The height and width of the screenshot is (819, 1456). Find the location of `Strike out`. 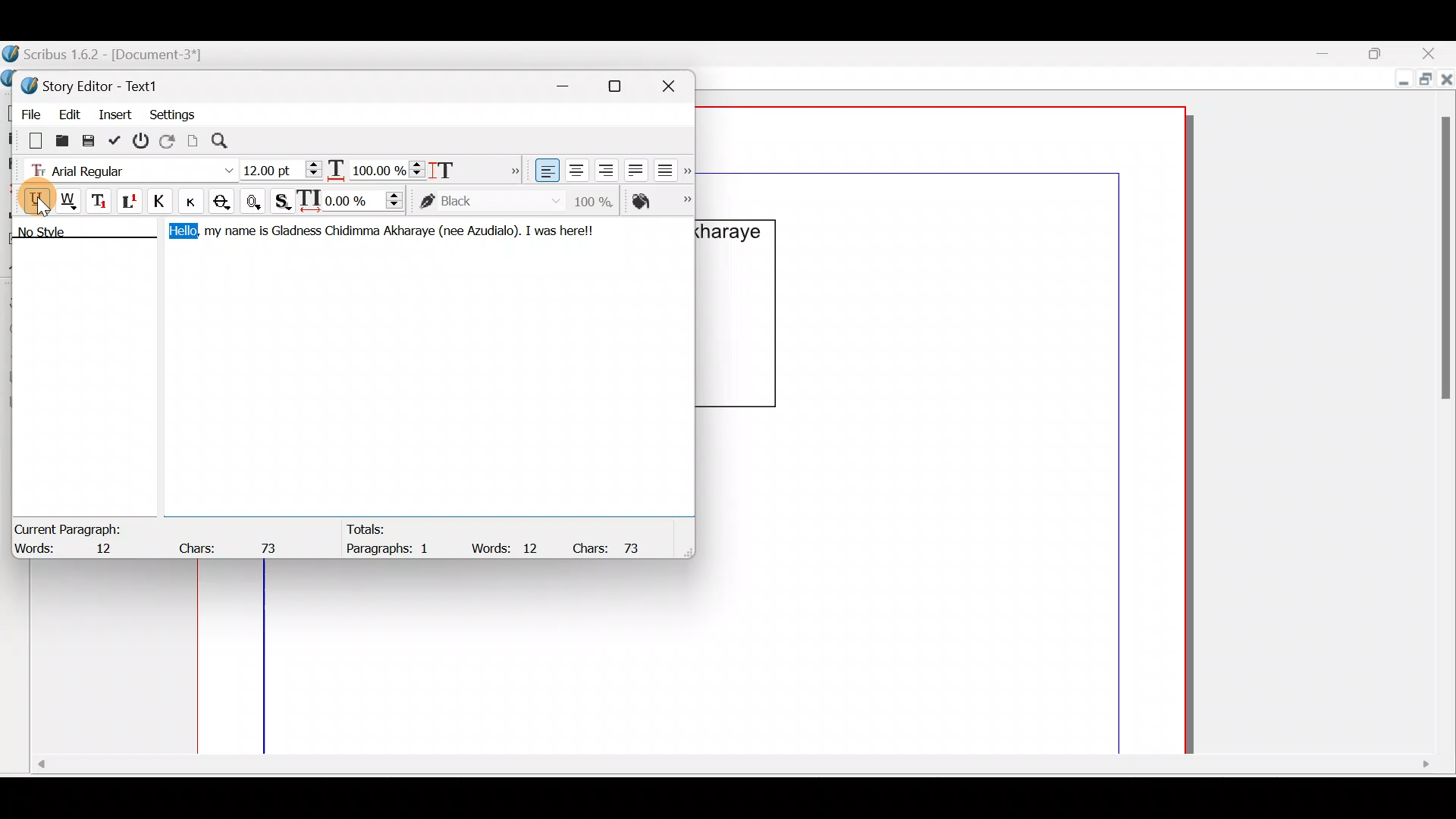

Strike out is located at coordinates (226, 202).